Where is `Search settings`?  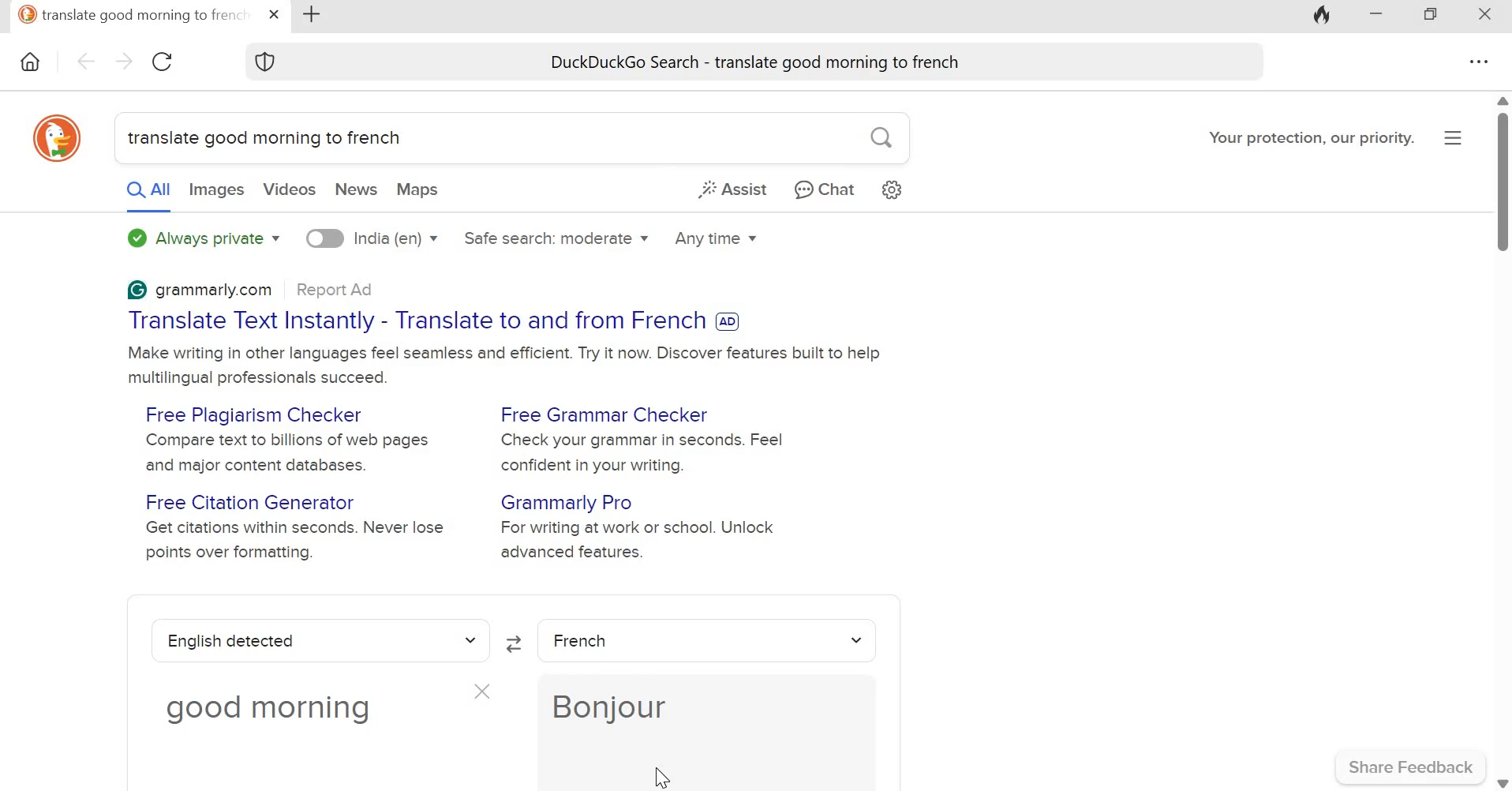
Search settings is located at coordinates (893, 189).